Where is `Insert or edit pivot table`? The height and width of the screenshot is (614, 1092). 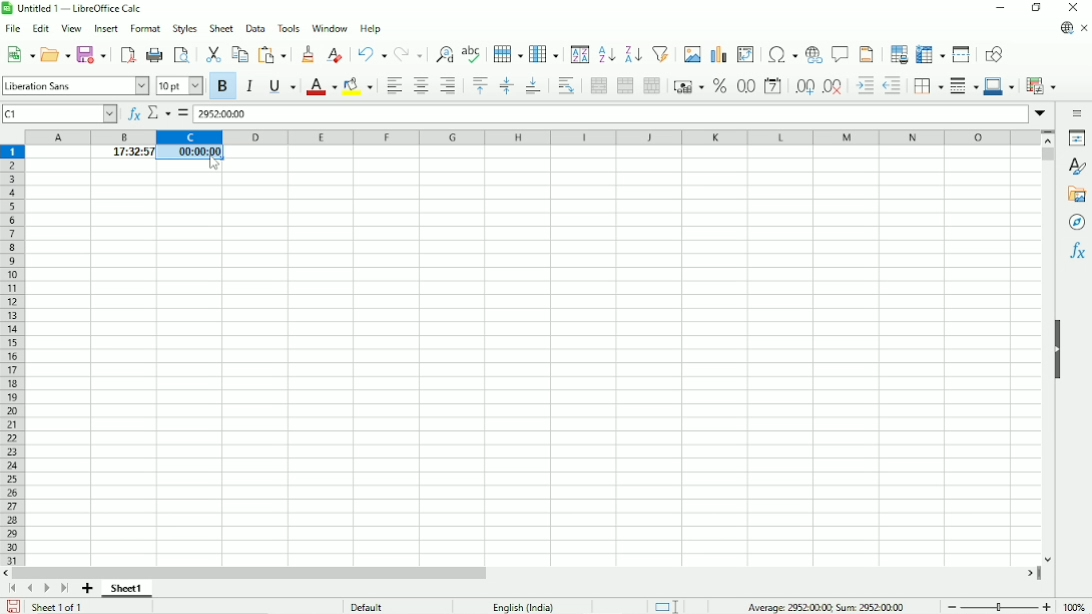
Insert or edit pivot table is located at coordinates (745, 55).